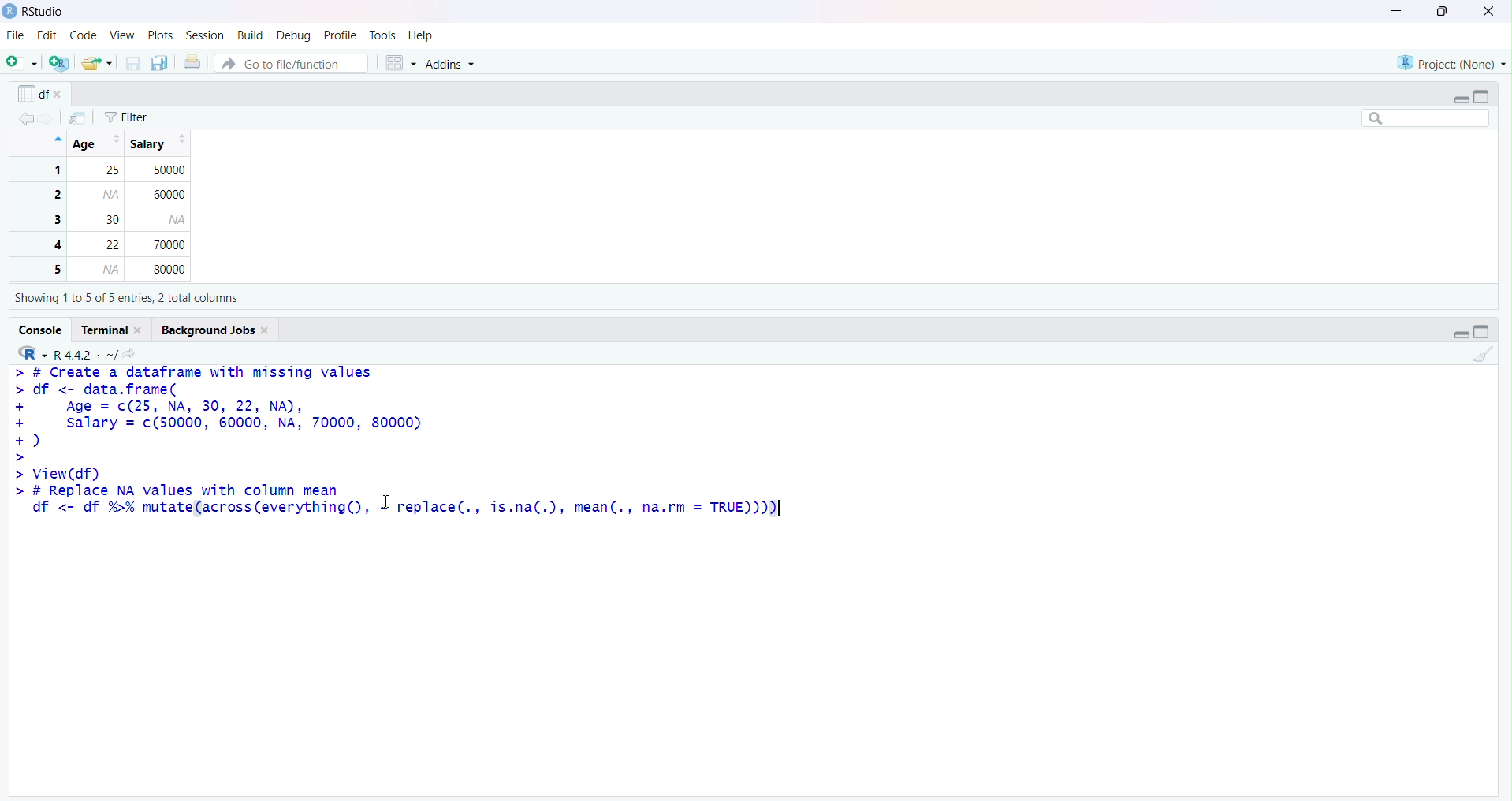 This screenshot has height=801, width=1512. Describe the element at coordinates (54, 141) in the screenshot. I see `Hide` at that location.